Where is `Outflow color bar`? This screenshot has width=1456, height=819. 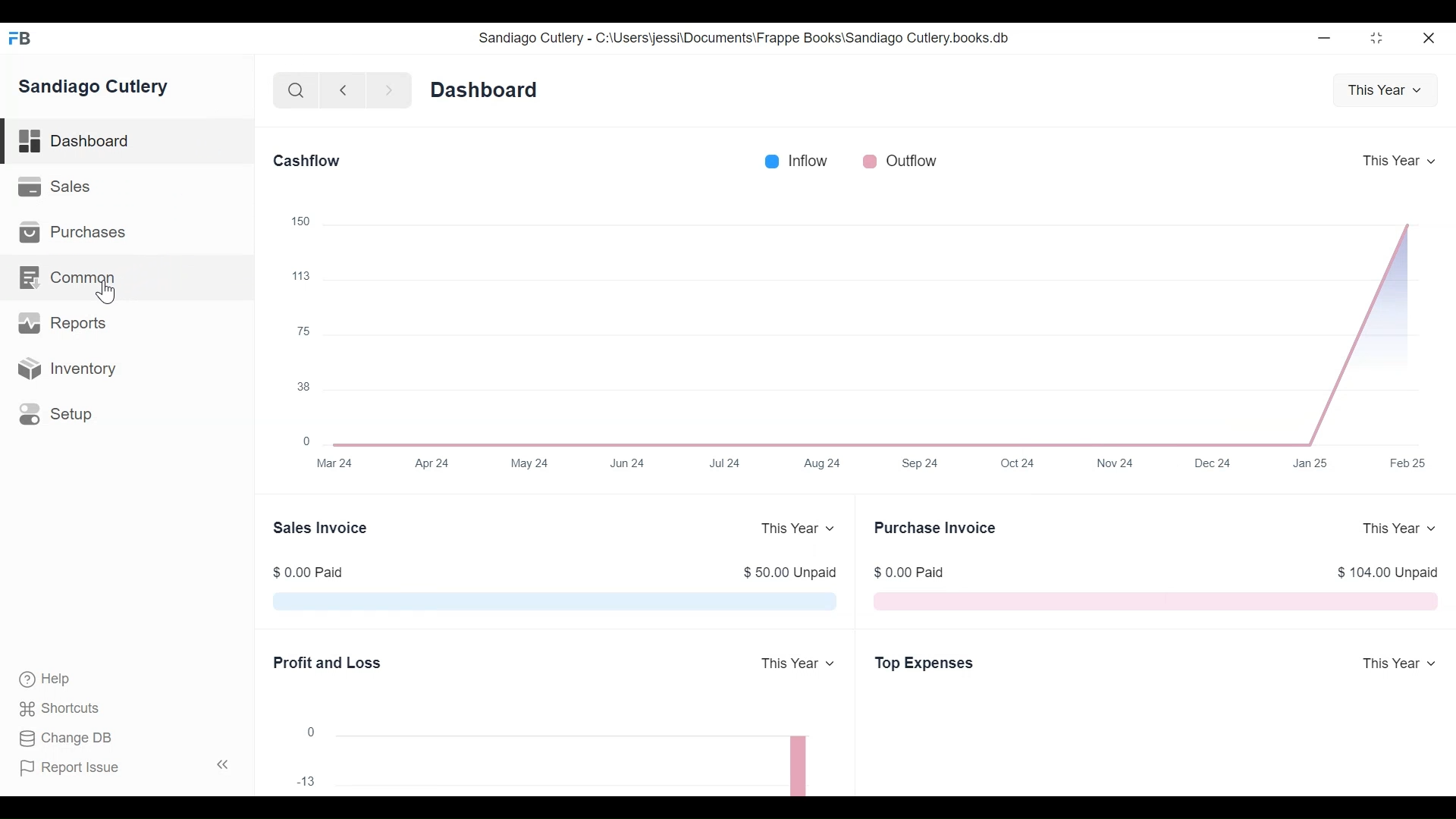 Outflow color bar is located at coordinates (871, 160).